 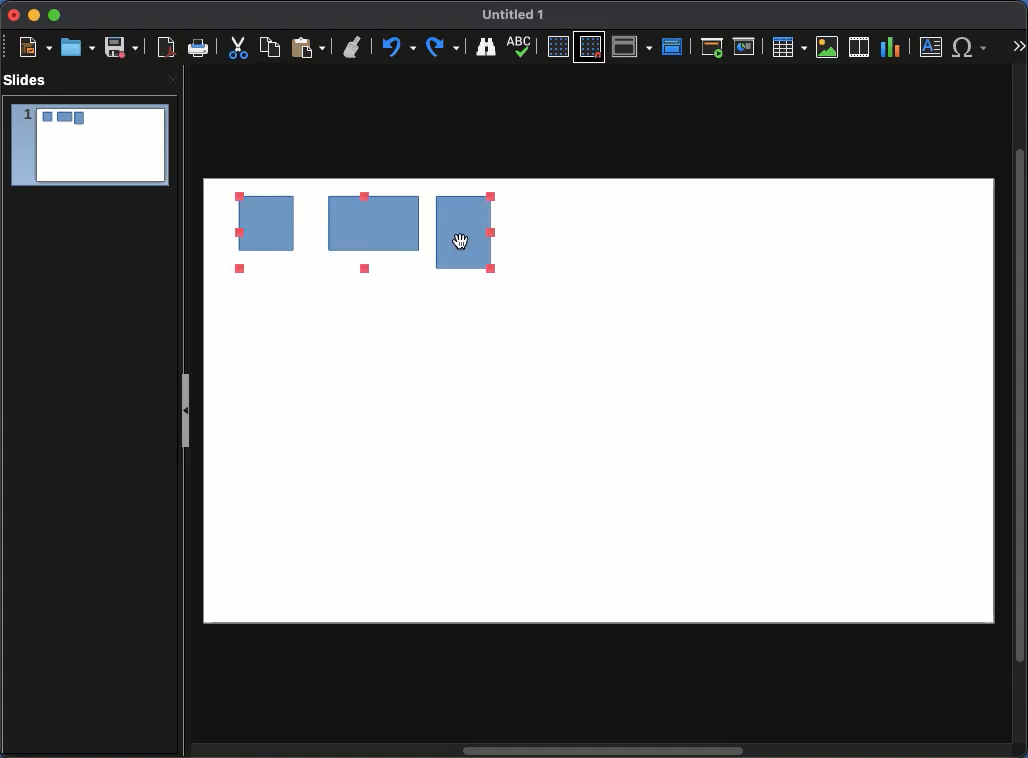 What do you see at coordinates (487, 47) in the screenshot?
I see `Finder` at bounding box center [487, 47].